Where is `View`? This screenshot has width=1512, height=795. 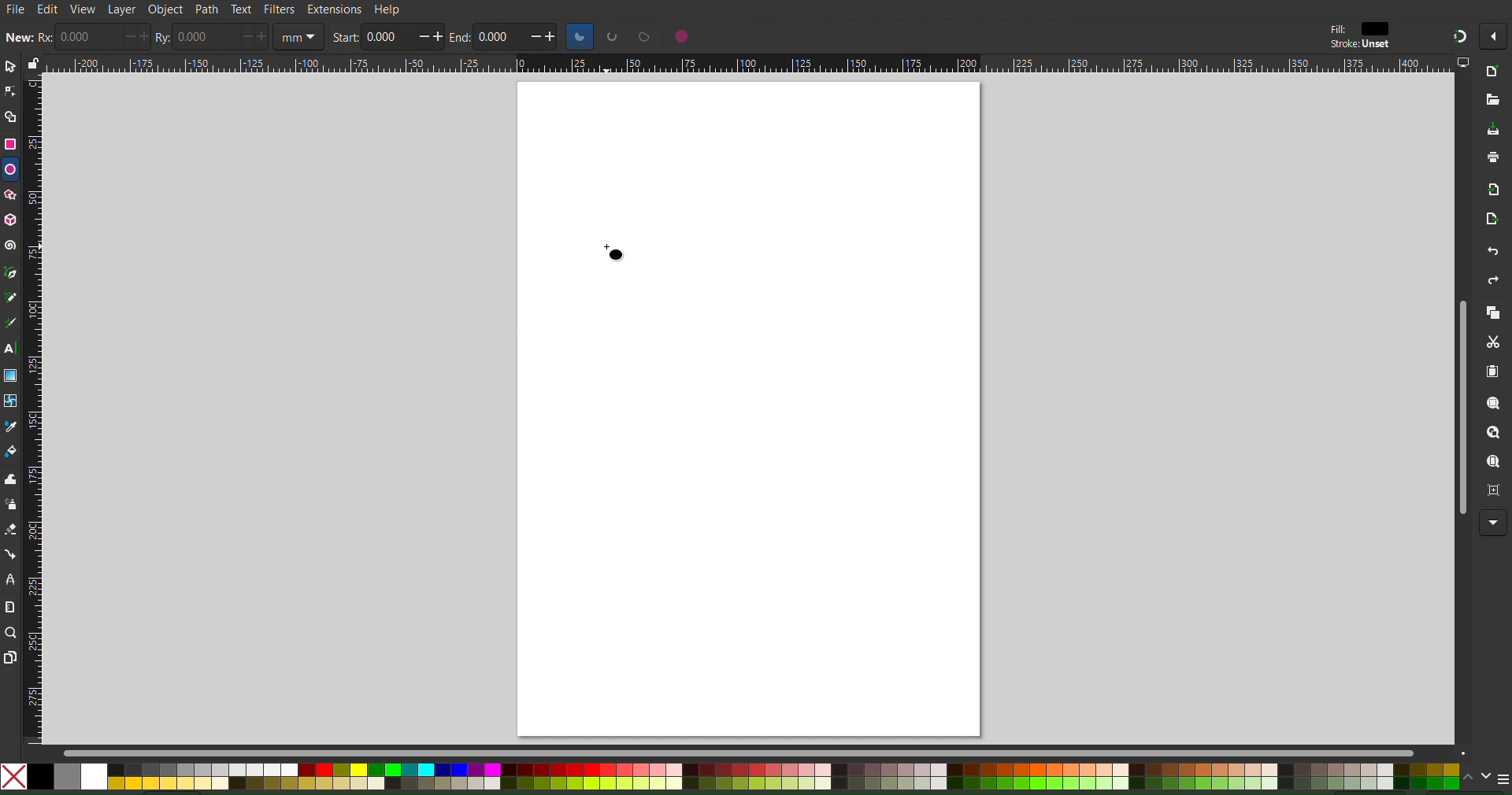 View is located at coordinates (83, 11).